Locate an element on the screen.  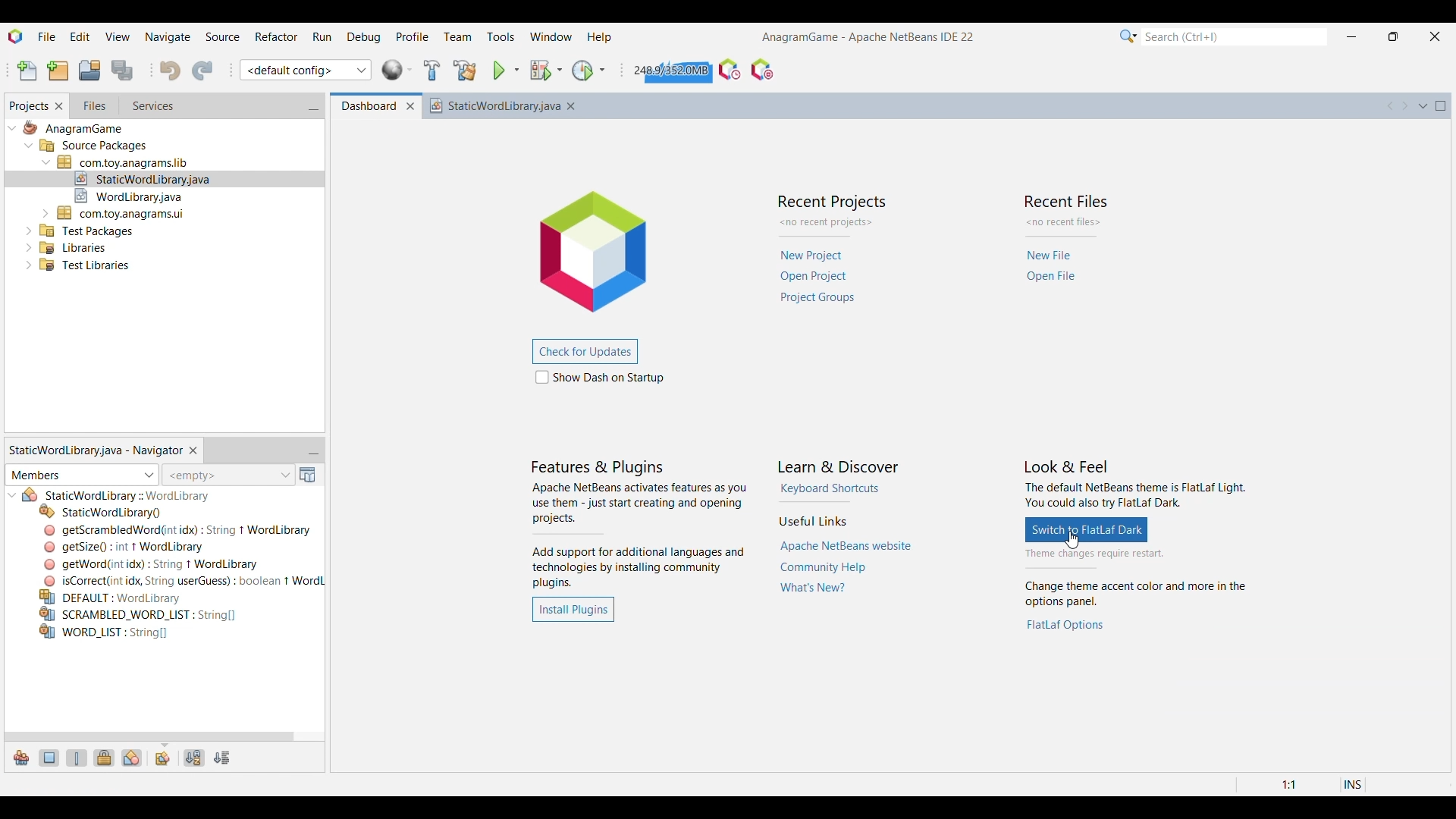
Window menu highlighted is located at coordinates (551, 36).